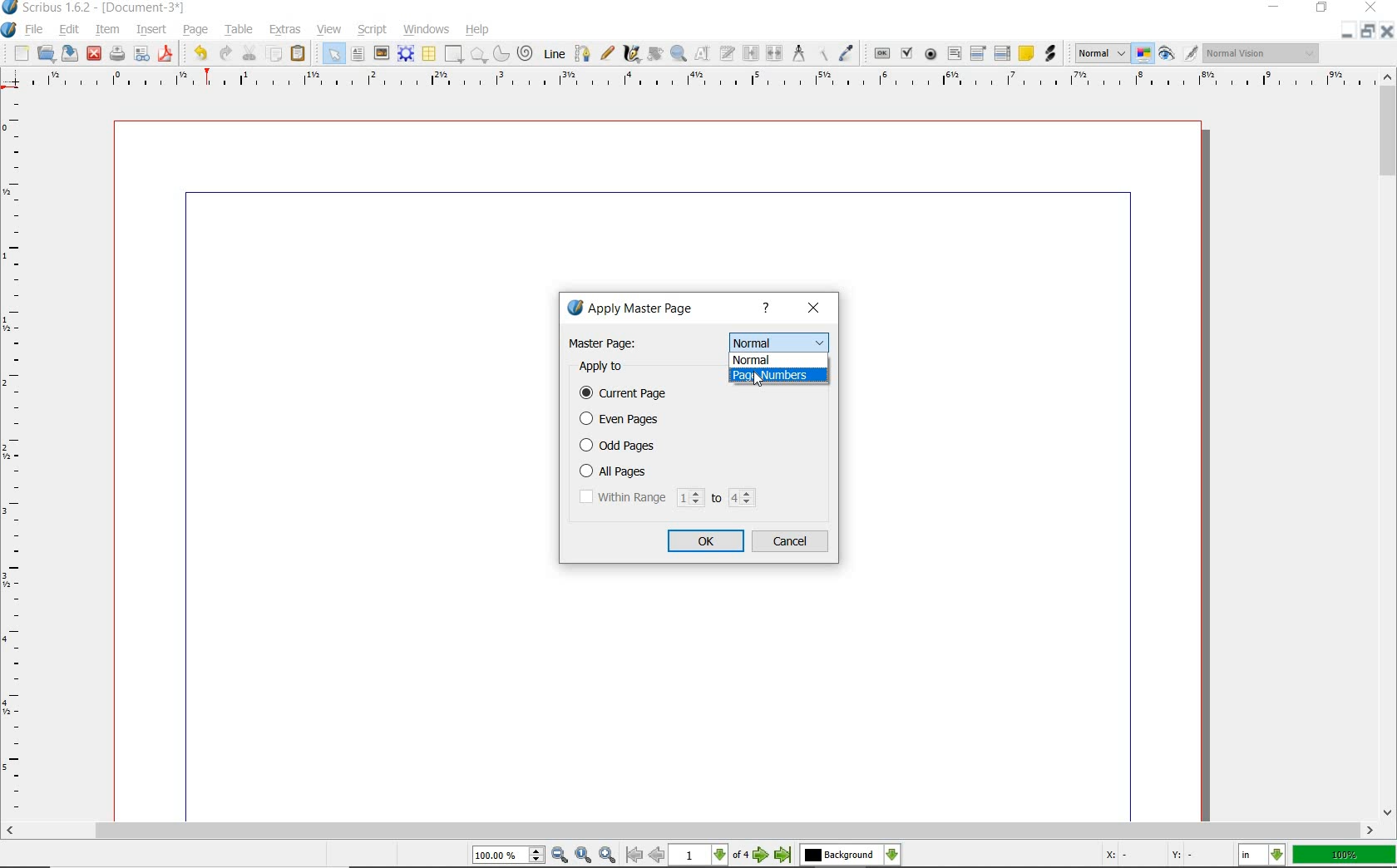 The image size is (1397, 868). What do you see at coordinates (583, 53) in the screenshot?
I see `Bezier curve` at bounding box center [583, 53].